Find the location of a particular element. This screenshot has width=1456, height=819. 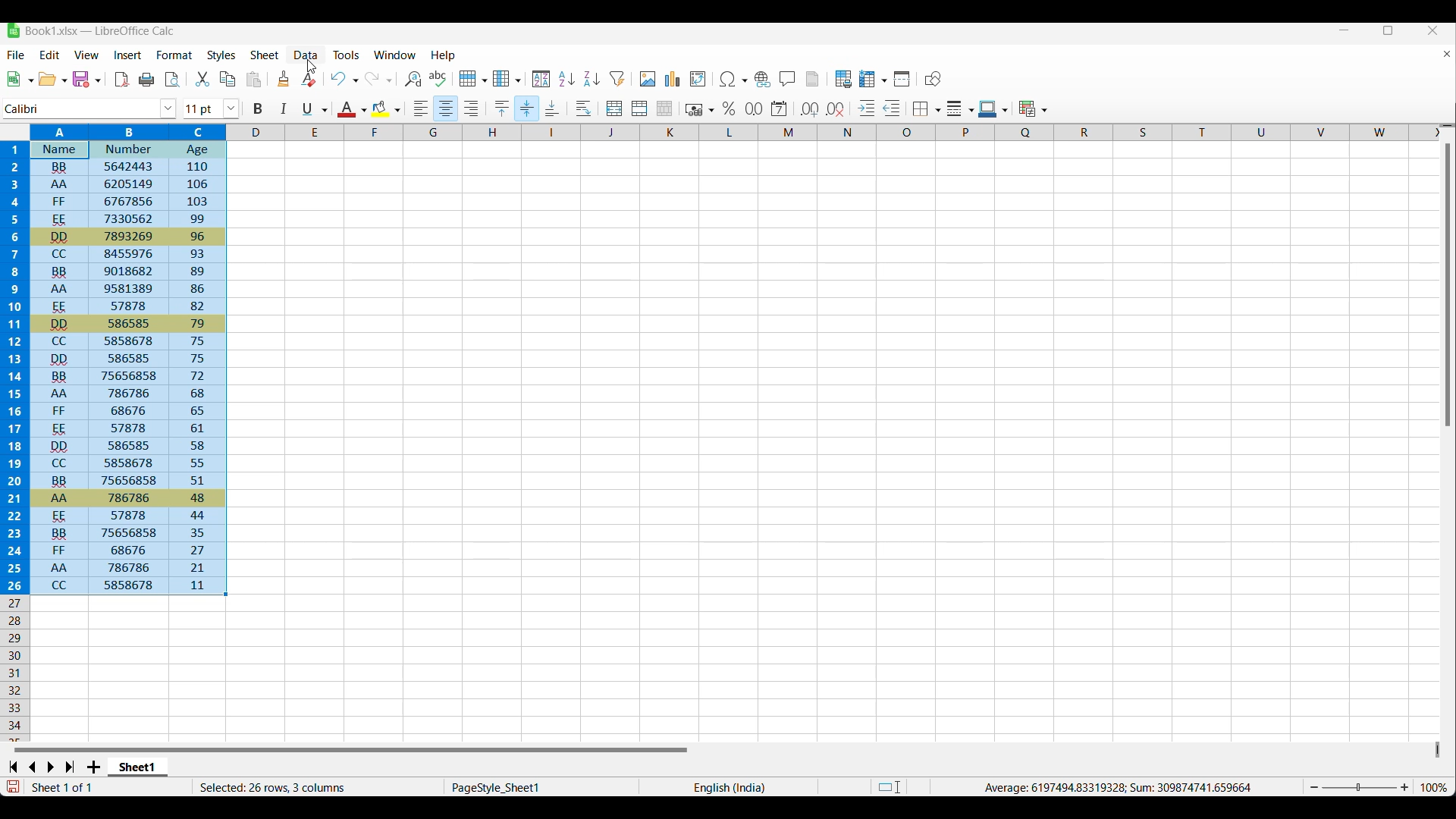

Current highlighted color and other options is located at coordinates (385, 109).